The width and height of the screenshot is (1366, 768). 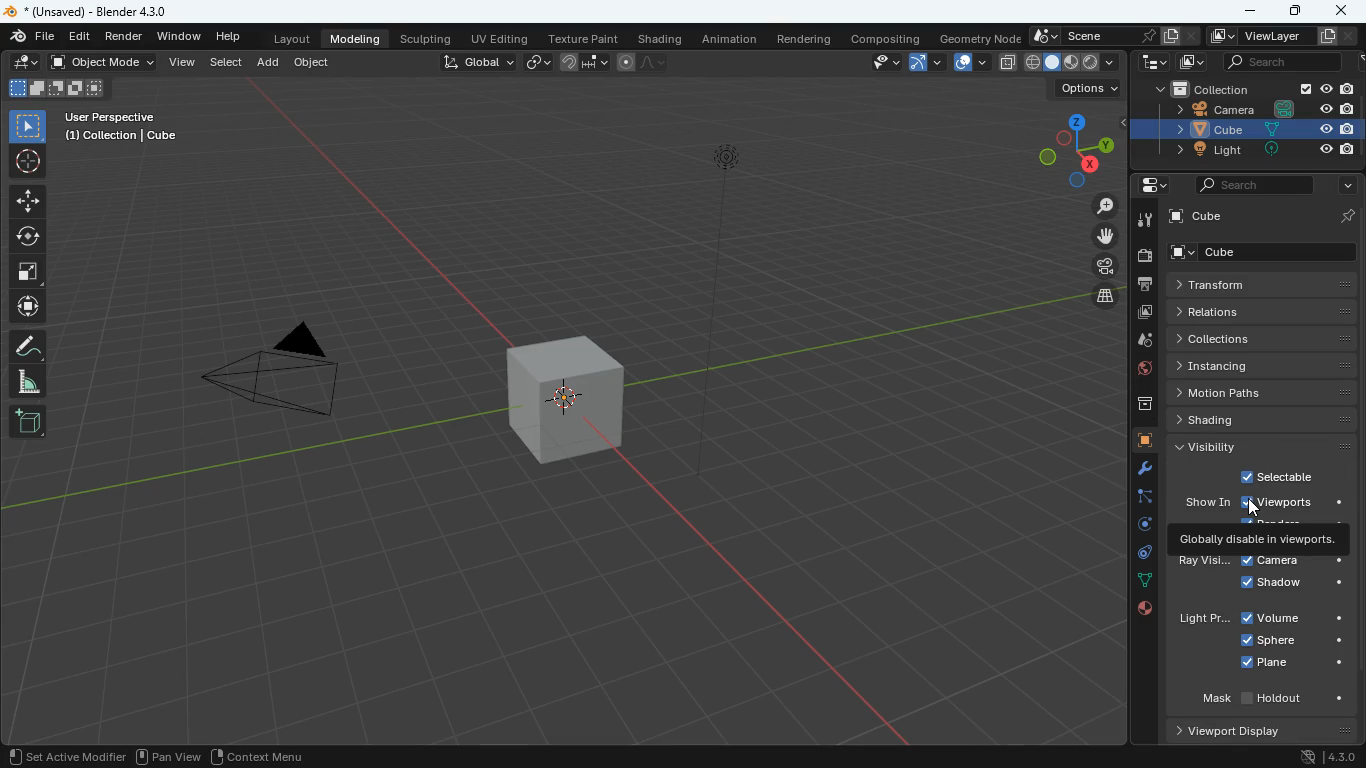 I want to click on pin, so click(x=1347, y=216).